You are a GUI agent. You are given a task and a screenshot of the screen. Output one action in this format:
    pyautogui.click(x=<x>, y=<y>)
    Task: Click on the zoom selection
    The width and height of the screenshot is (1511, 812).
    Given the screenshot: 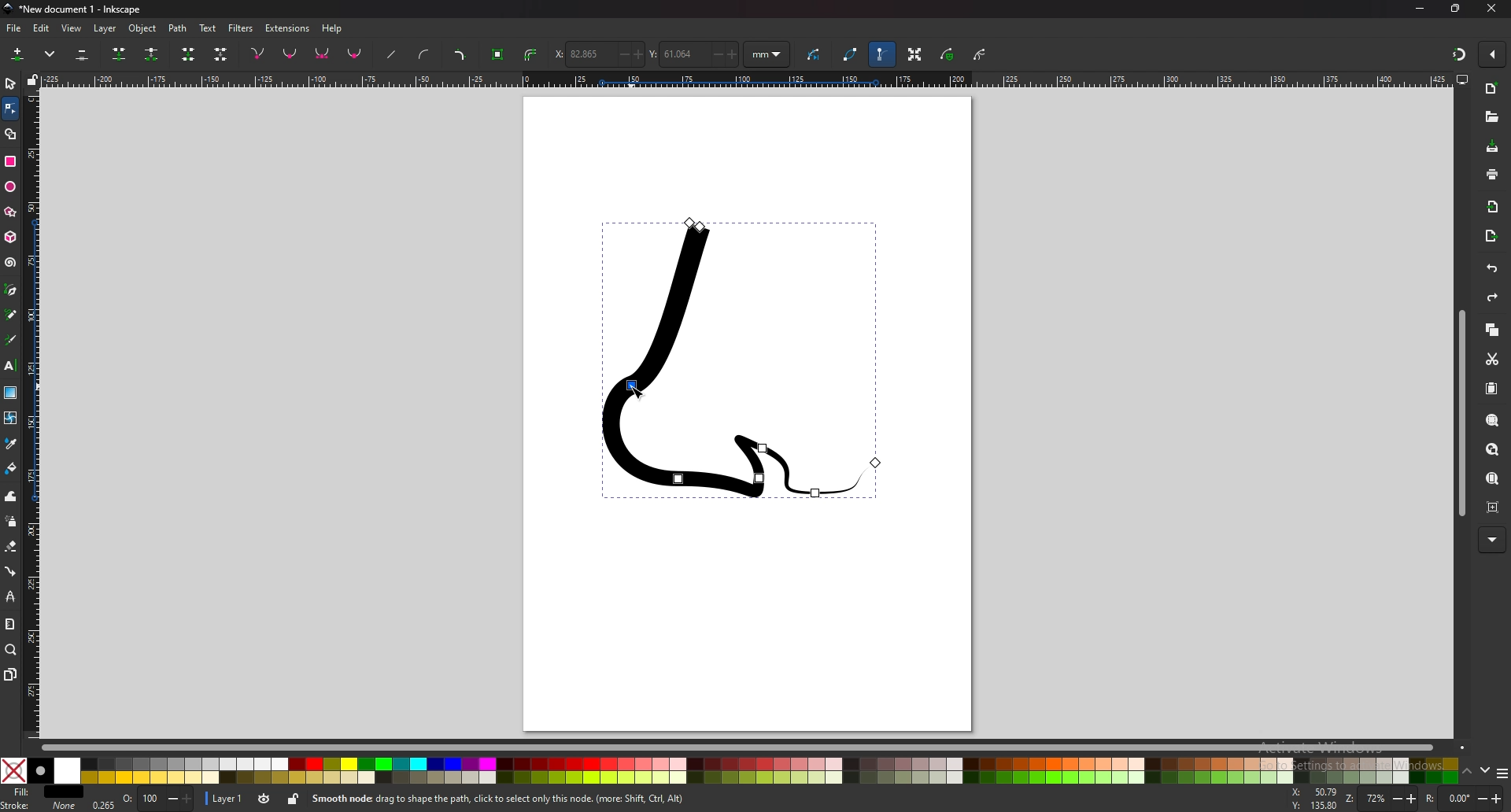 What is the action you would take?
    pyautogui.click(x=1491, y=420)
    